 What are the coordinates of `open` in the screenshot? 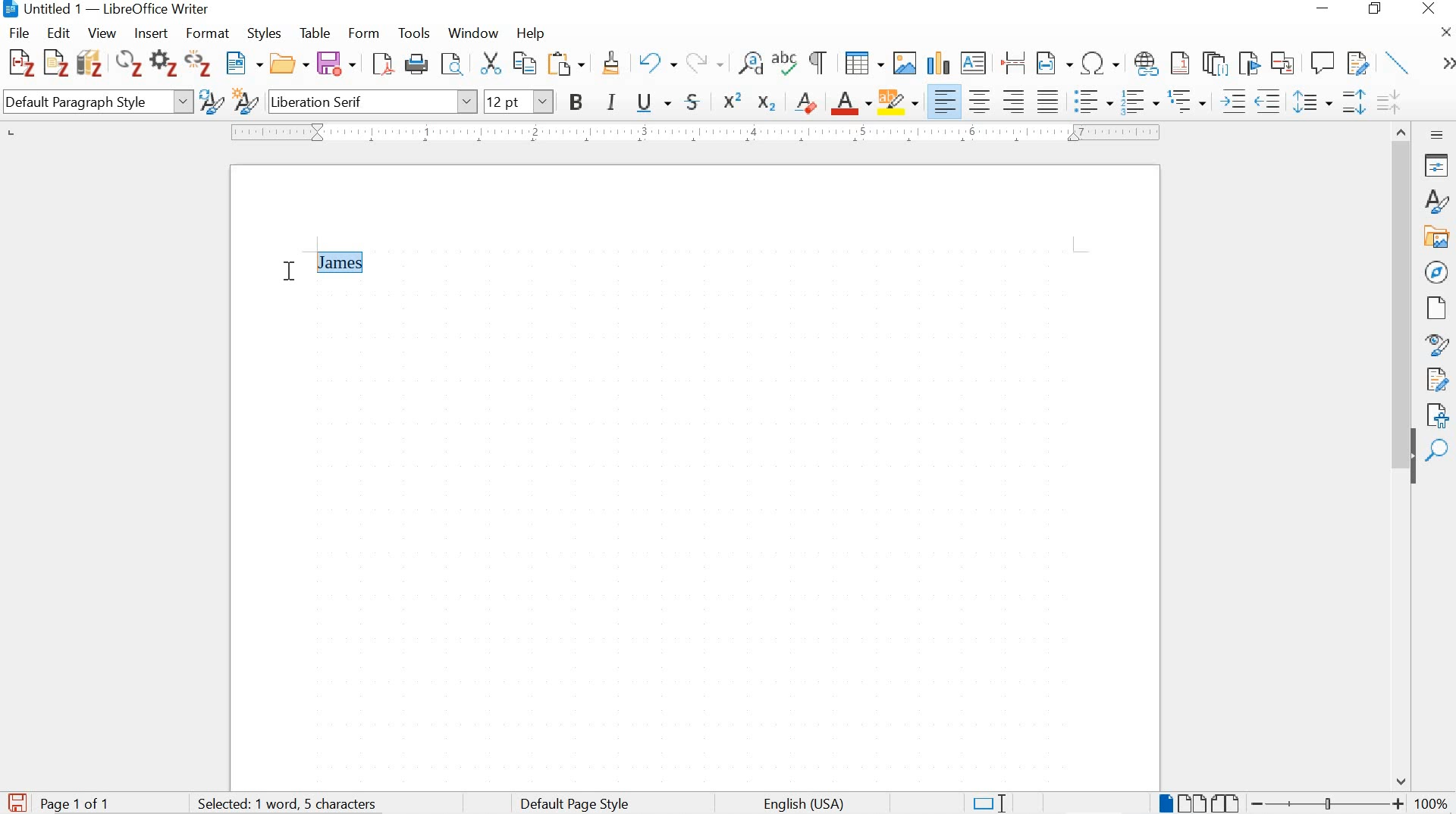 It's located at (290, 64).